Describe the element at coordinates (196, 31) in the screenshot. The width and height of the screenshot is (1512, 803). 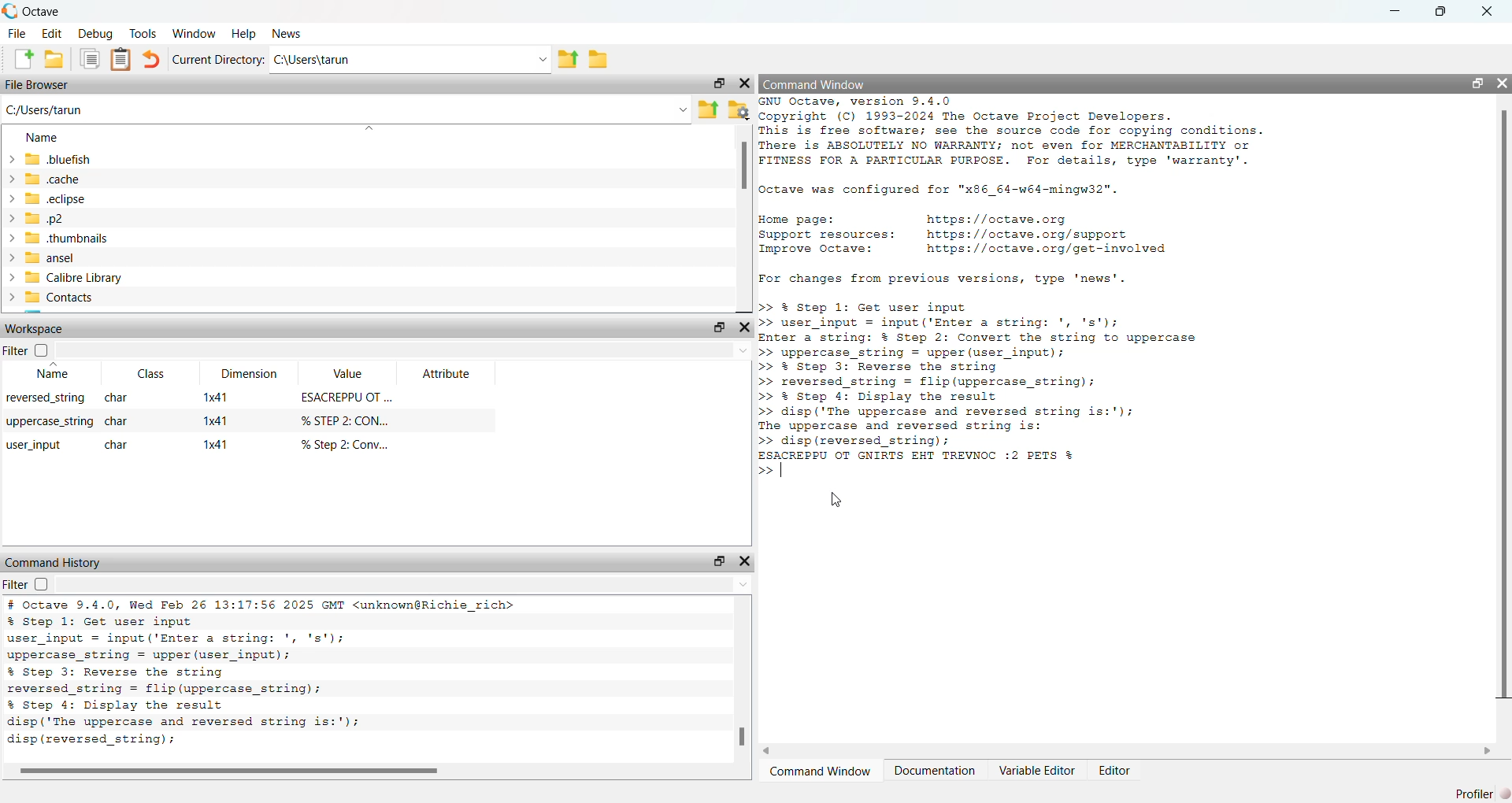
I see `window` at that location.